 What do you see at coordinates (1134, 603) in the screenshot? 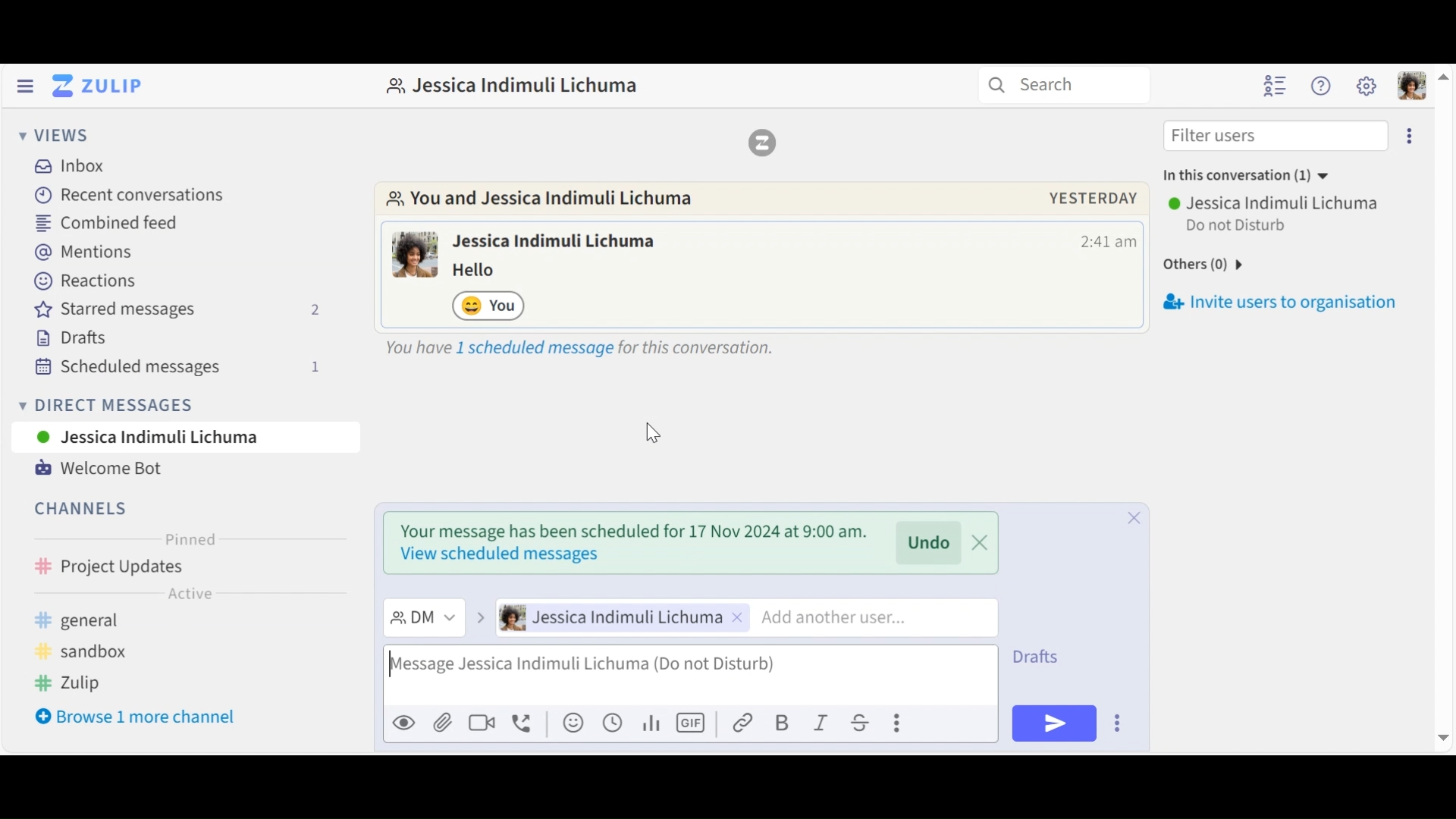
I see `Close` at bounding box center [1134, 603].